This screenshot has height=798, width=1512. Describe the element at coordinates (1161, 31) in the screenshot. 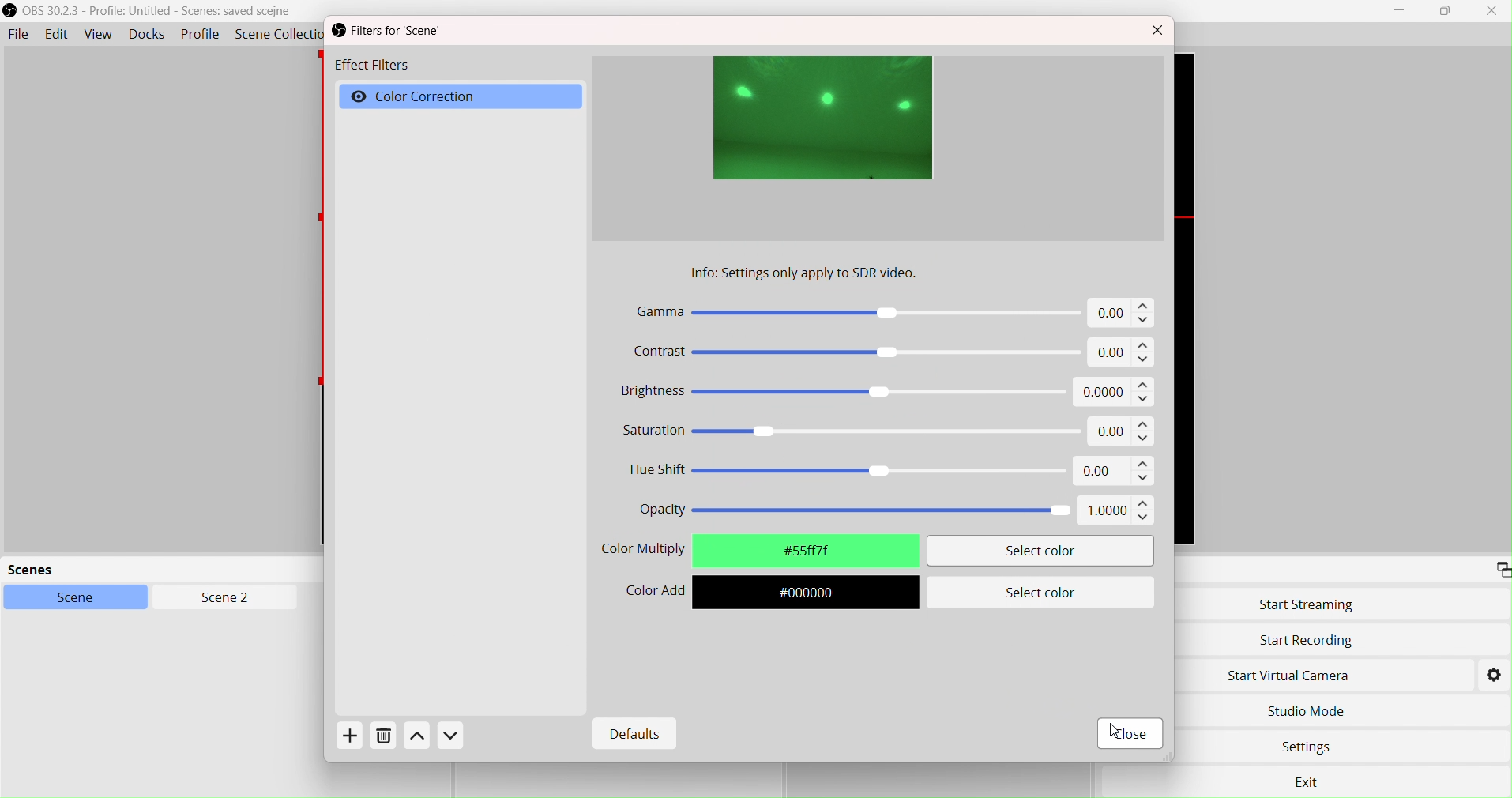

I see `Close` at that location.